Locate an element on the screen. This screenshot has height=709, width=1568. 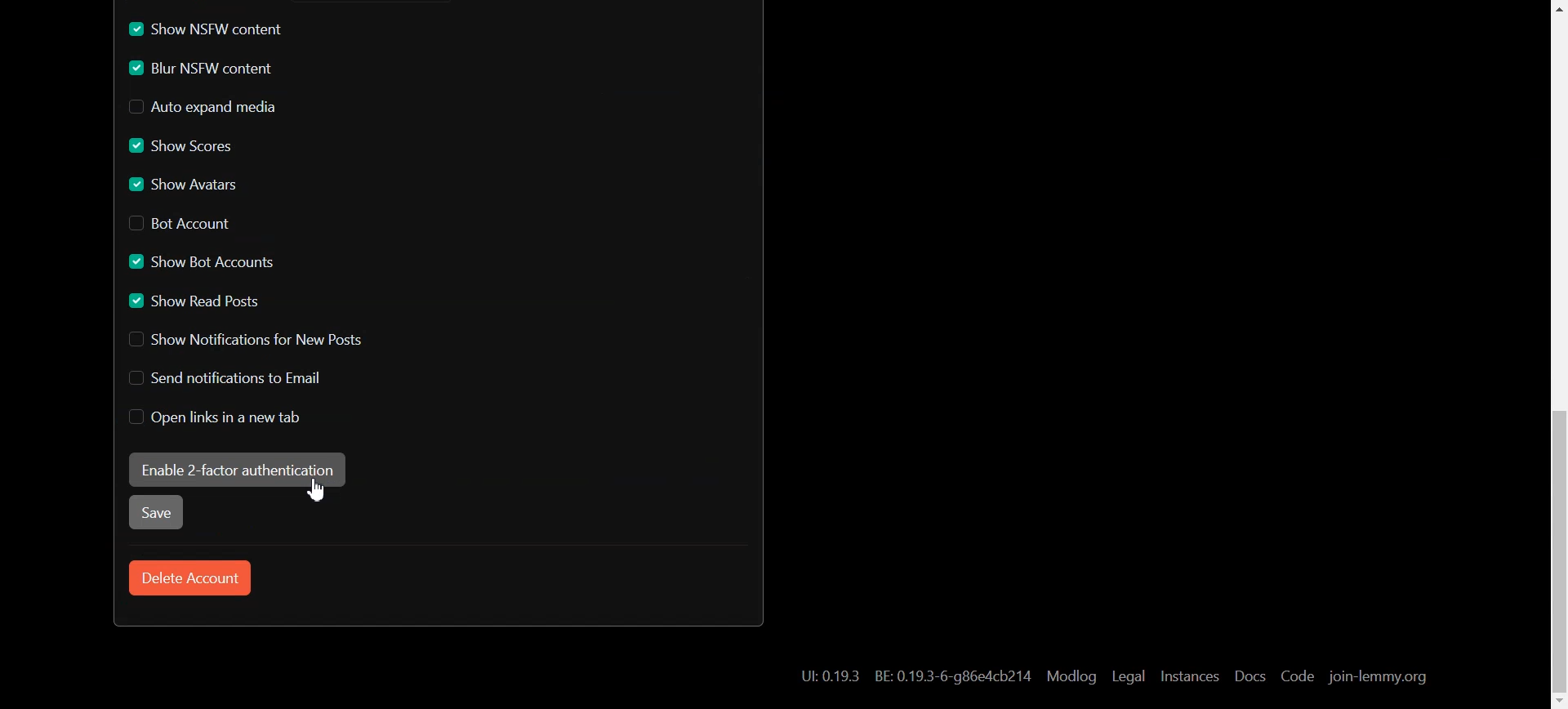
Save is located at coordinates (158, 511).